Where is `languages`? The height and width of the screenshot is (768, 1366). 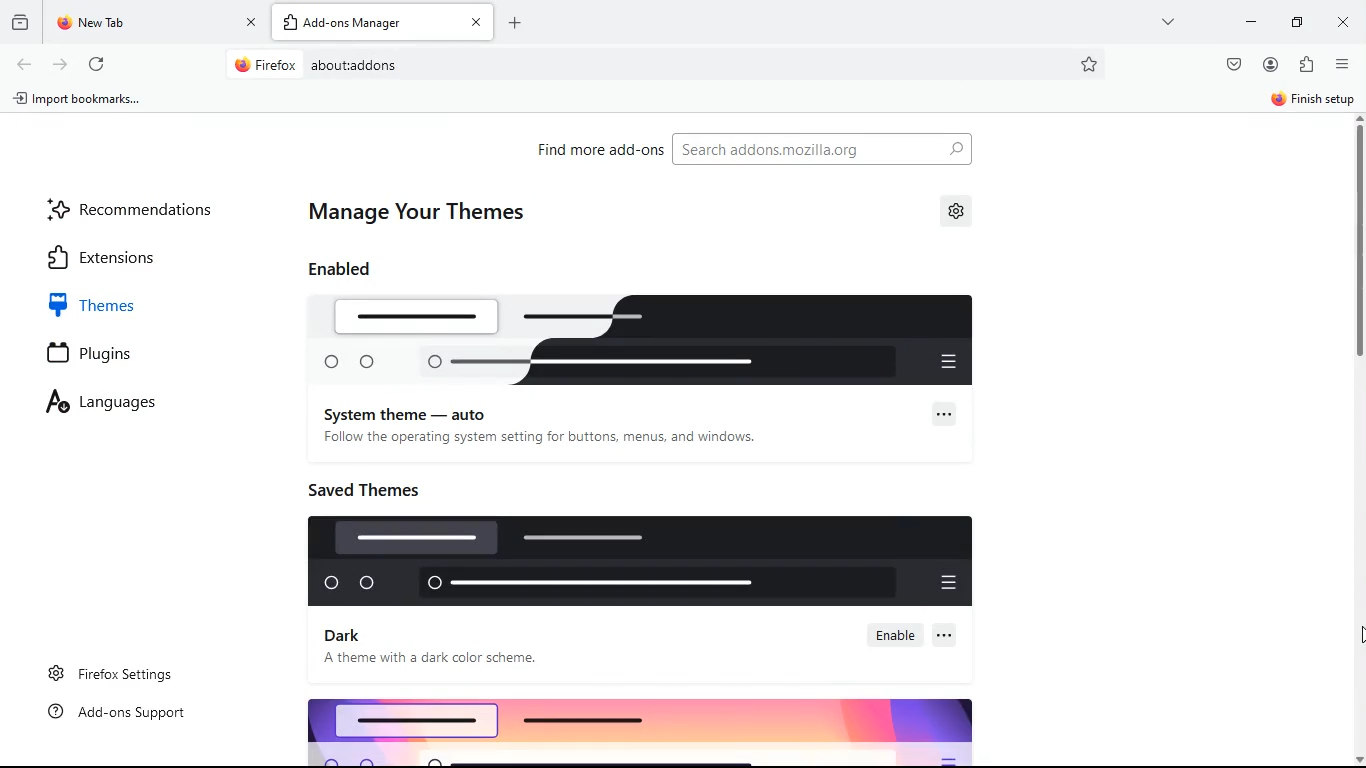 languages is located at coordinates (119, 405).